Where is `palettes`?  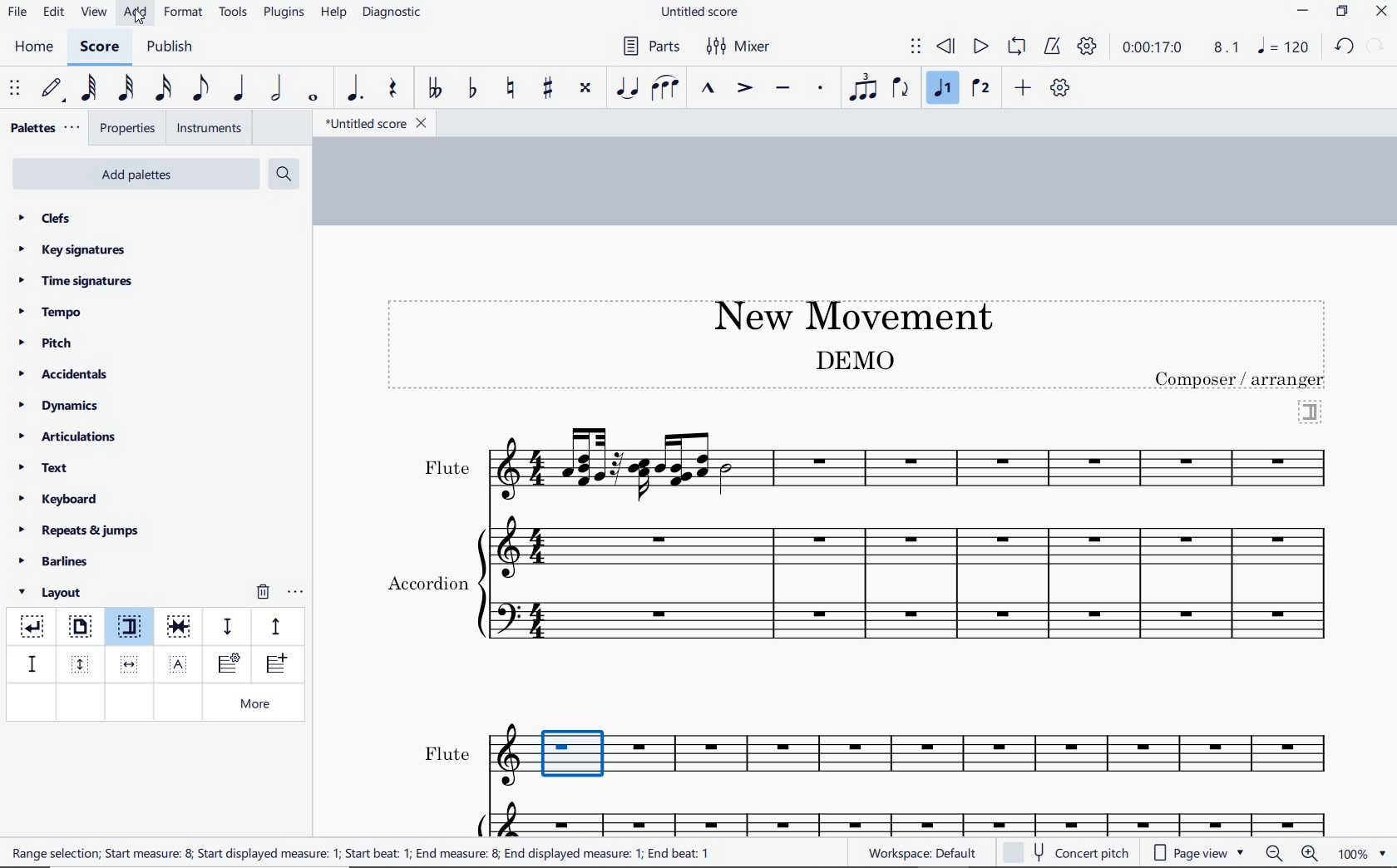
palettes is located at coordinates (43, 129).